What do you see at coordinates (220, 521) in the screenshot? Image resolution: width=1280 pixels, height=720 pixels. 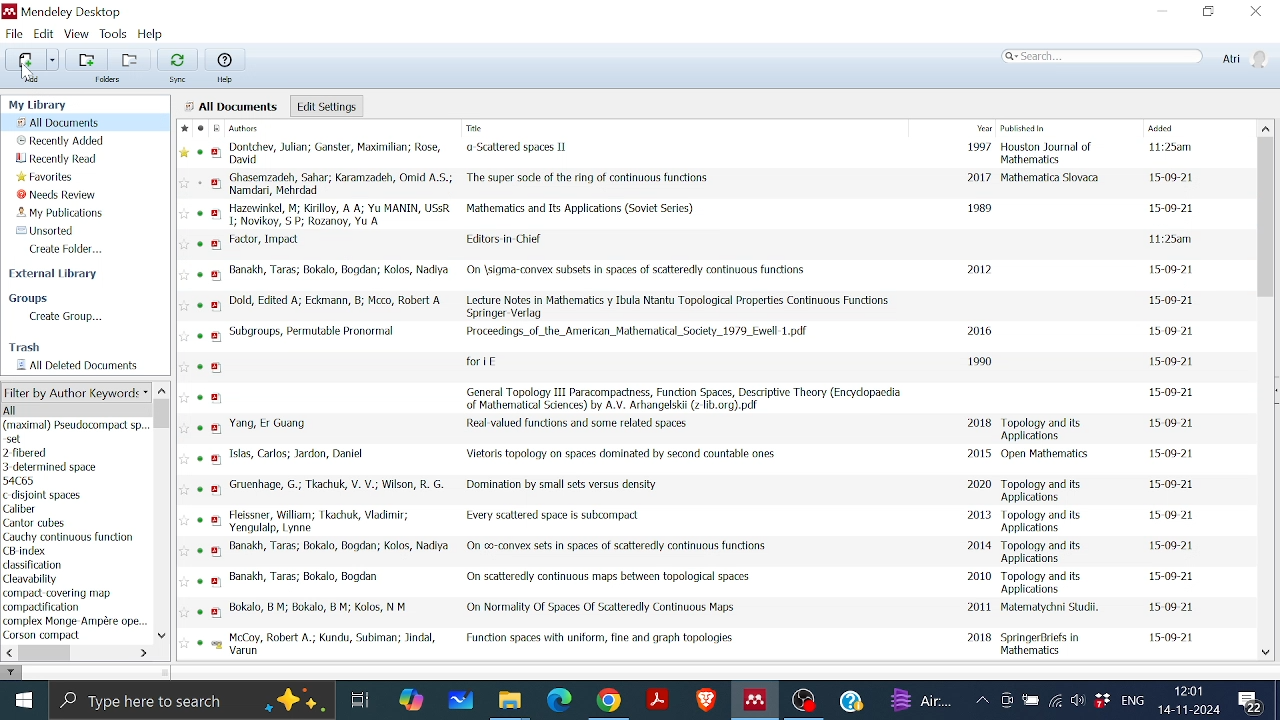 I see `pdf` at bounding box center [220, 521].